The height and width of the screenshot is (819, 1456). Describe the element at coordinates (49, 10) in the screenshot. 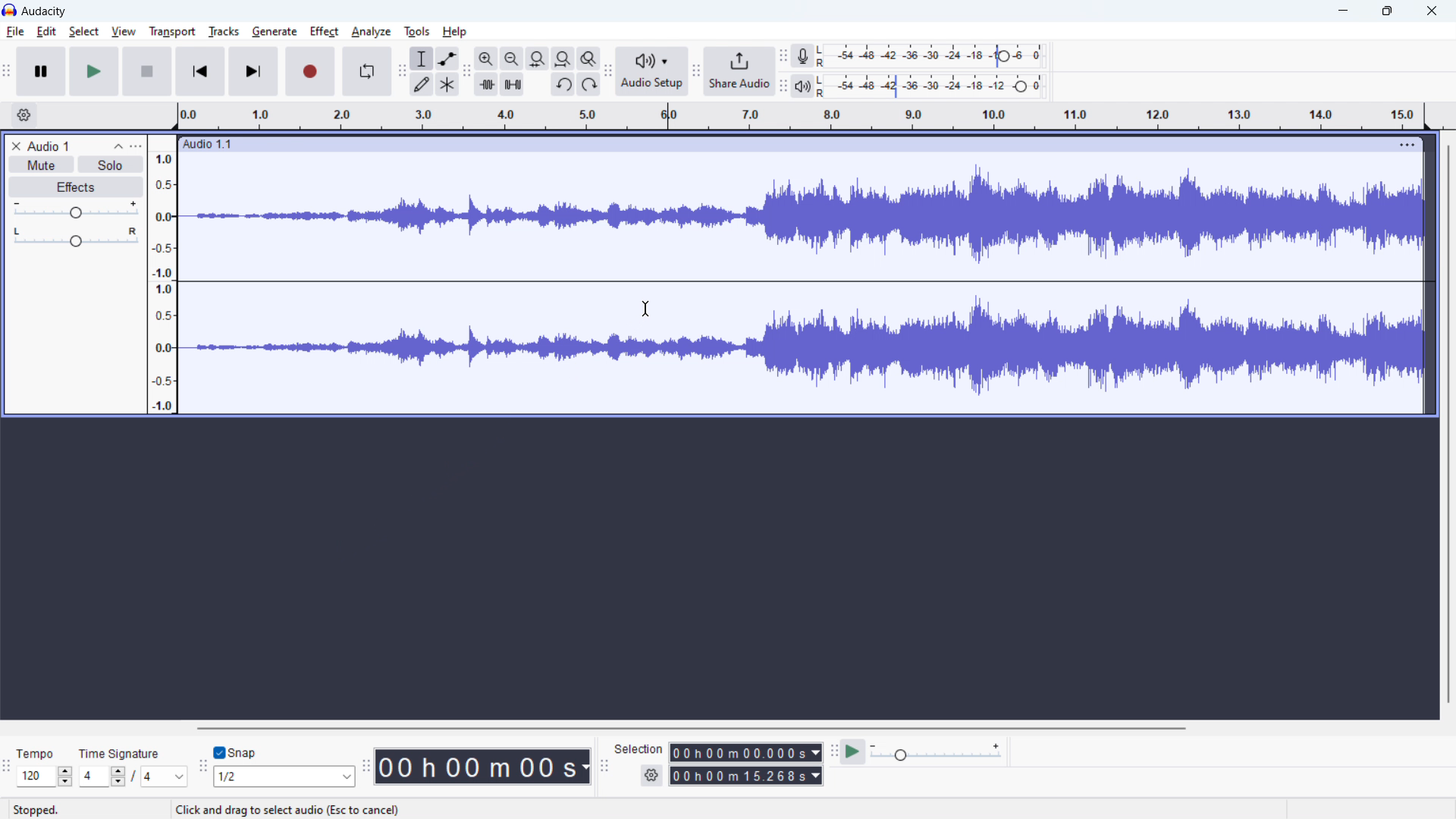

I see `Audacity (title)` at that location.